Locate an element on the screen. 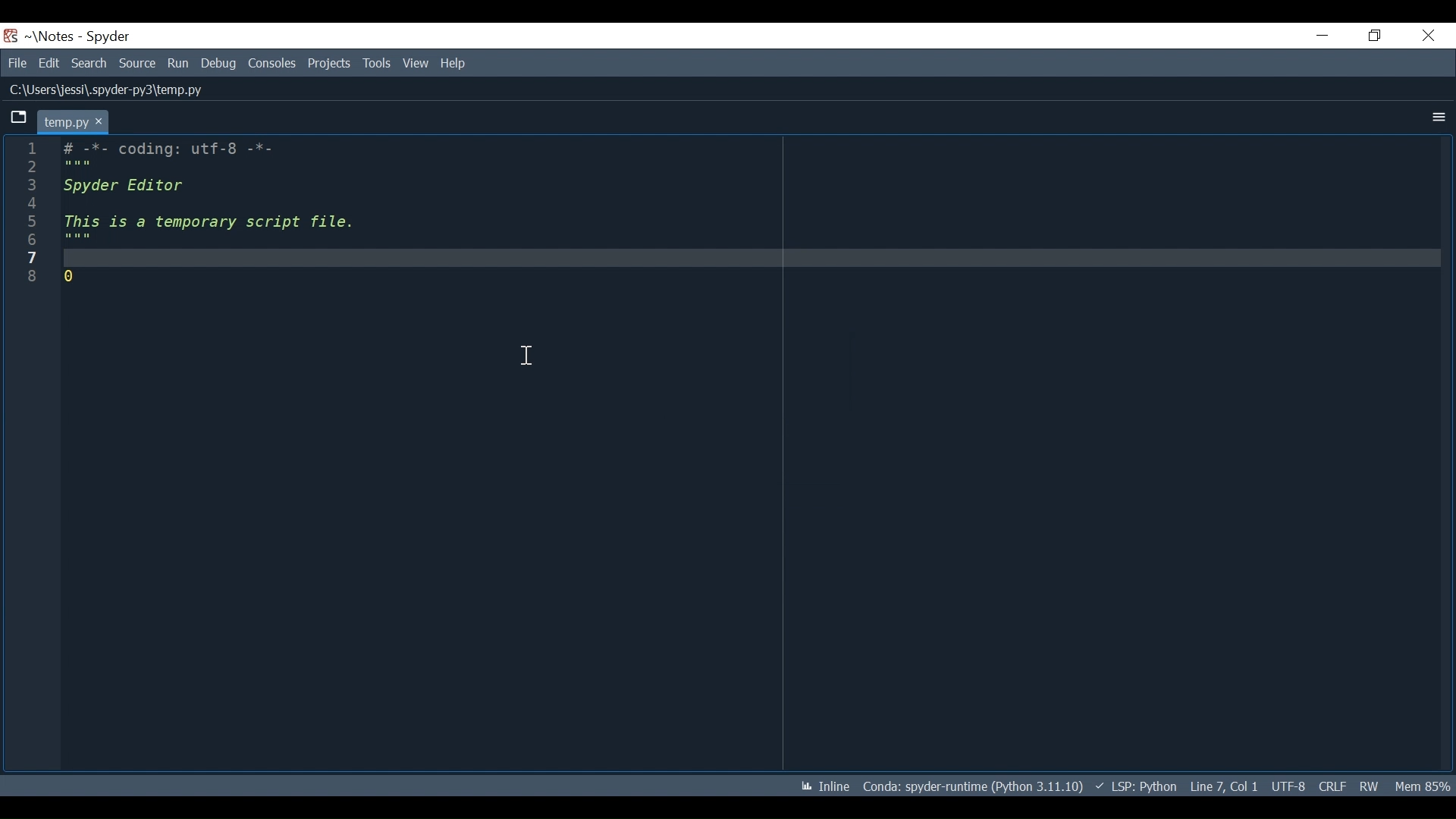  Debug is located at coordinates (220, 63).